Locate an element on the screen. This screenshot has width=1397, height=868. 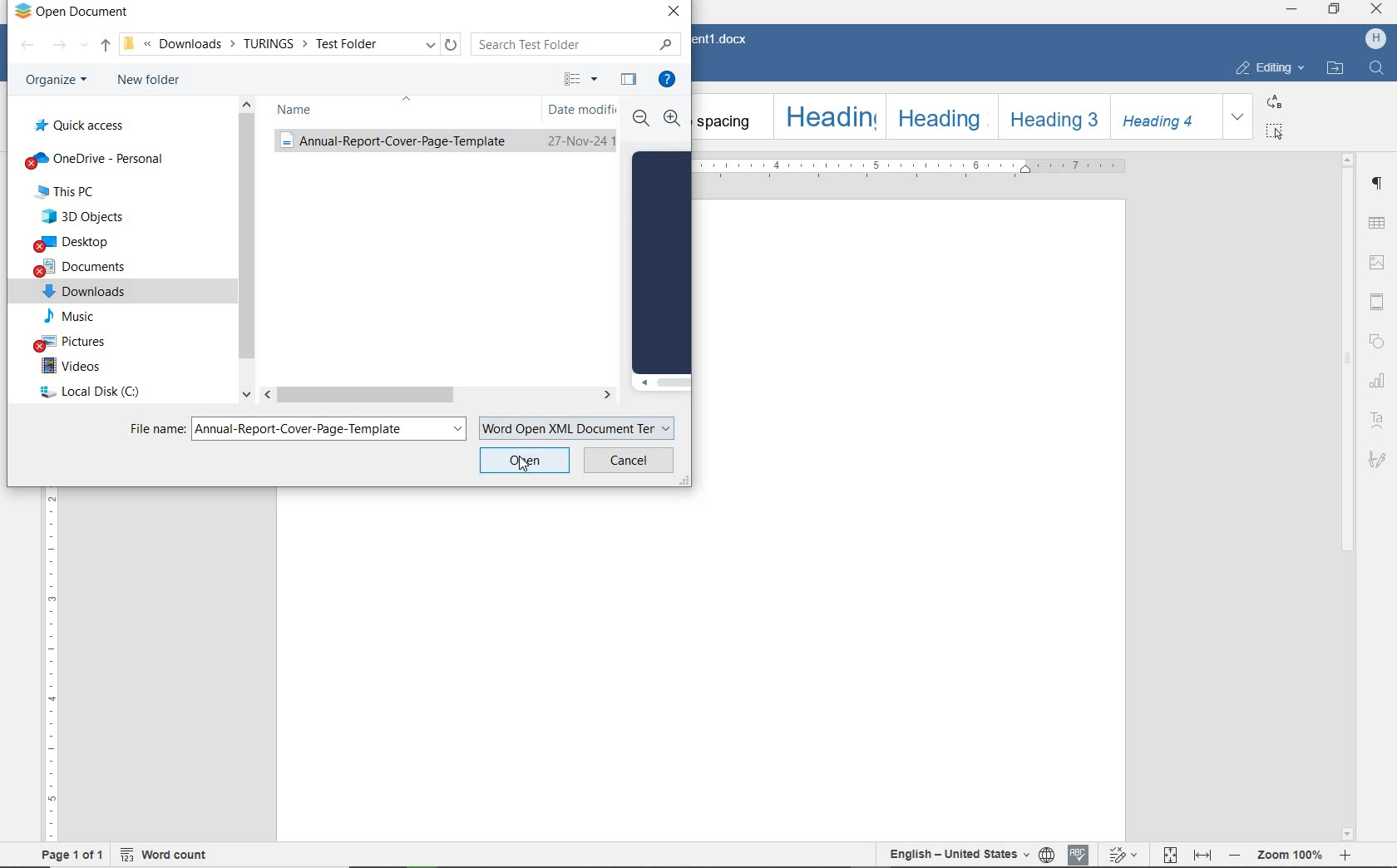
select all is located at coordinates (1272, 131).